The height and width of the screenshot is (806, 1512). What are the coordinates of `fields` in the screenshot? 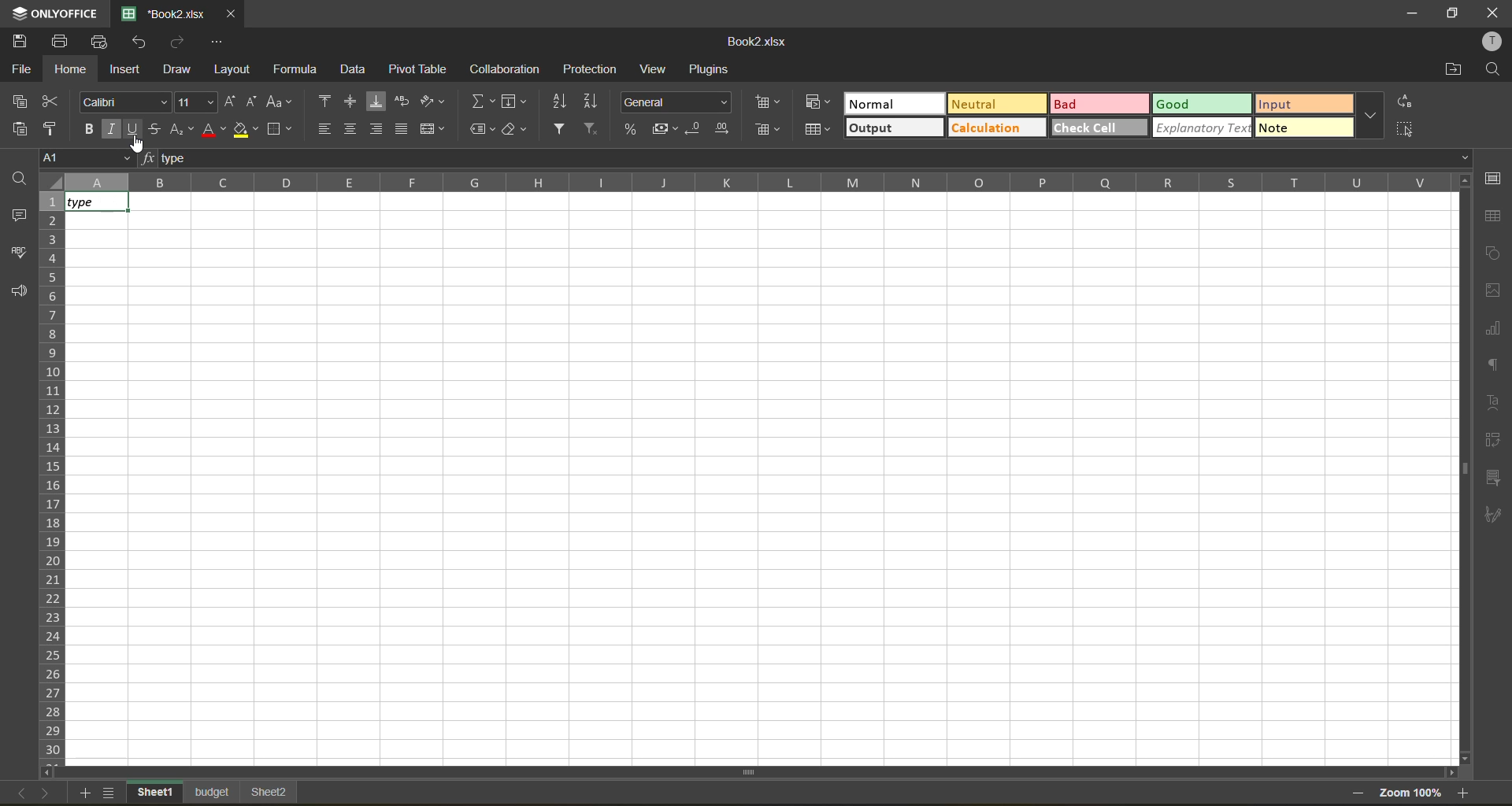 It's located at (513, 102).